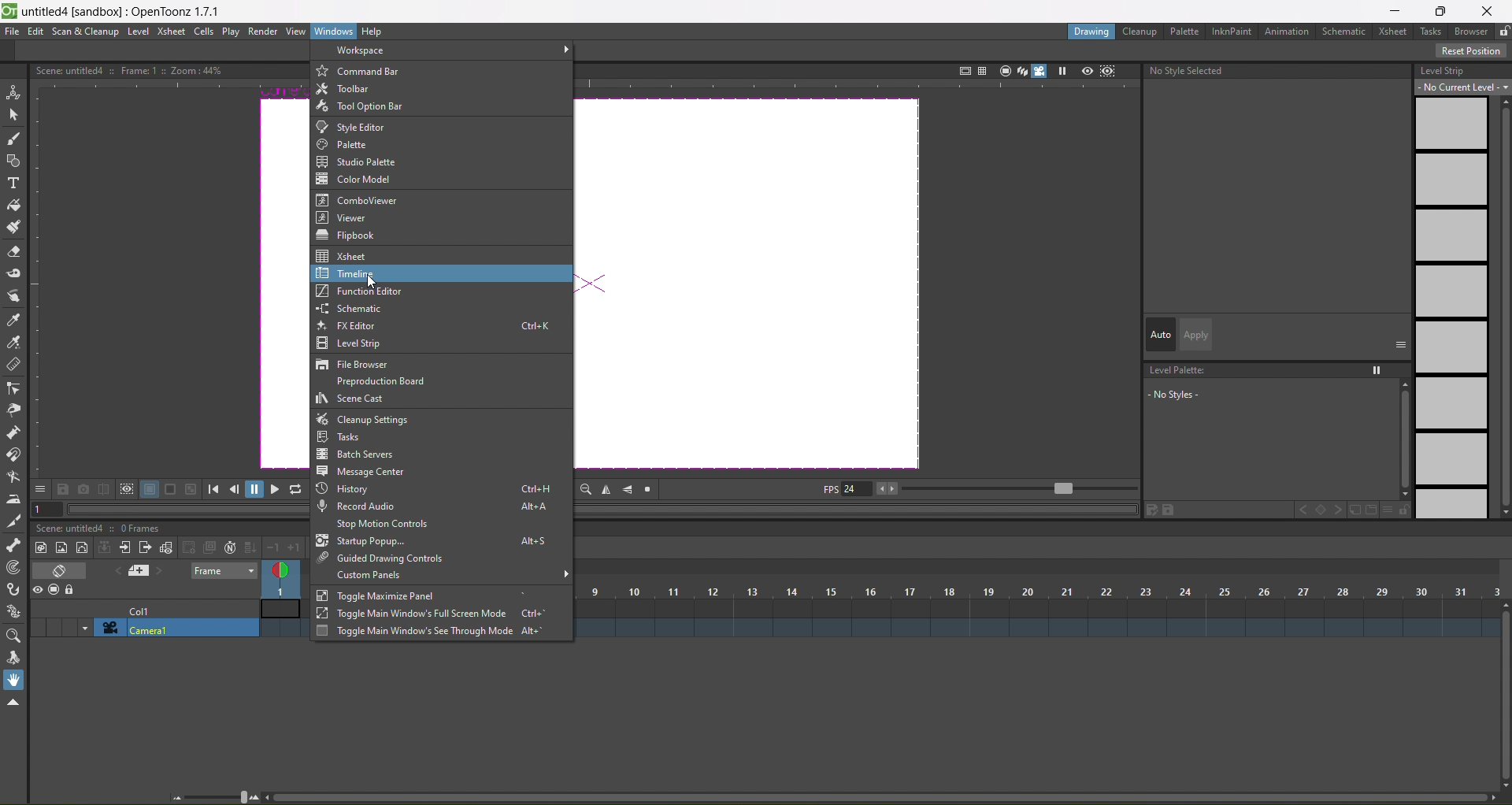  I want to click on file, so click(13, 32).